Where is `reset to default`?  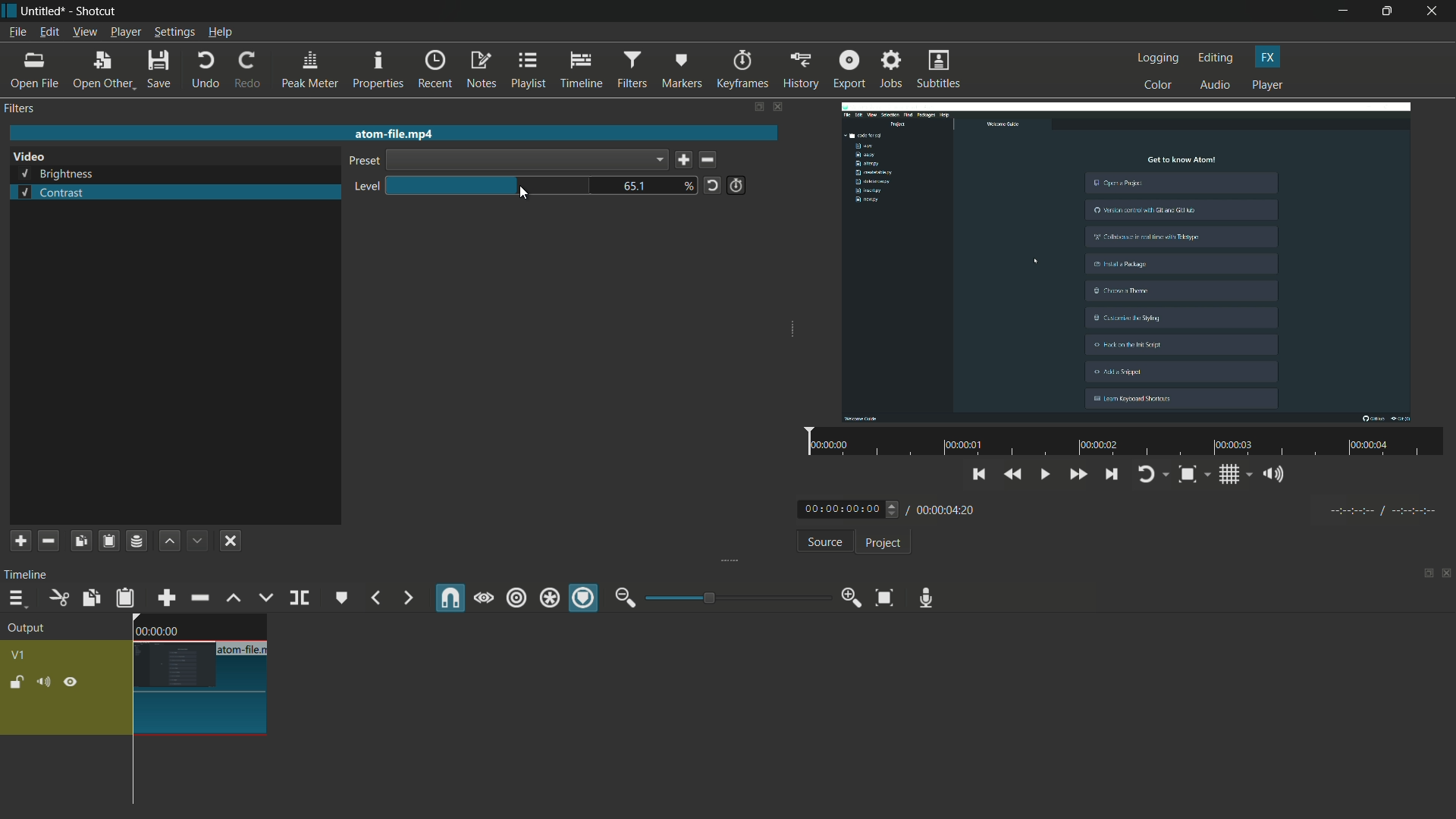 reset to default is located at coordinates (712, 184).